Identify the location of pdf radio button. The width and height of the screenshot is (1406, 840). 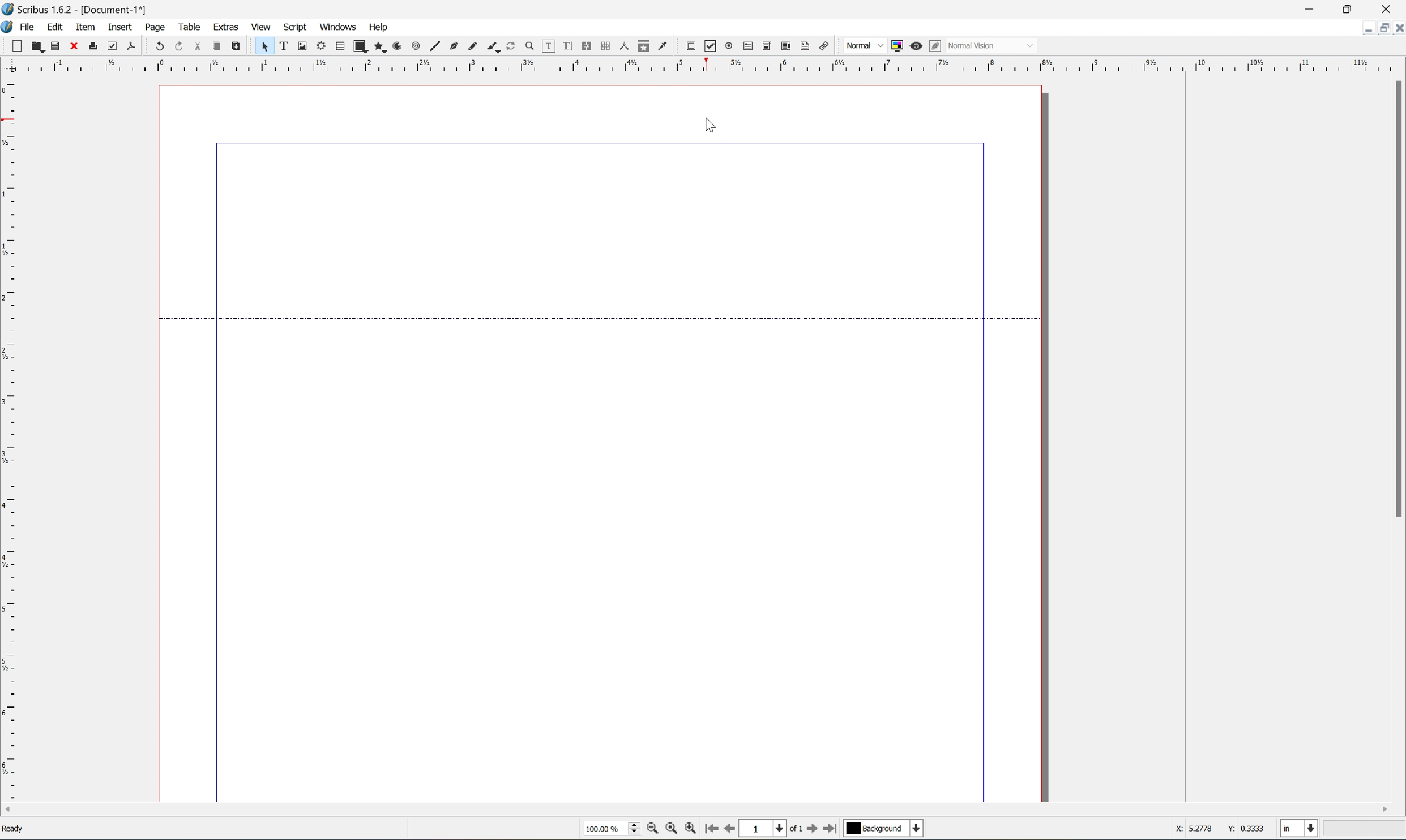
(730, 46).